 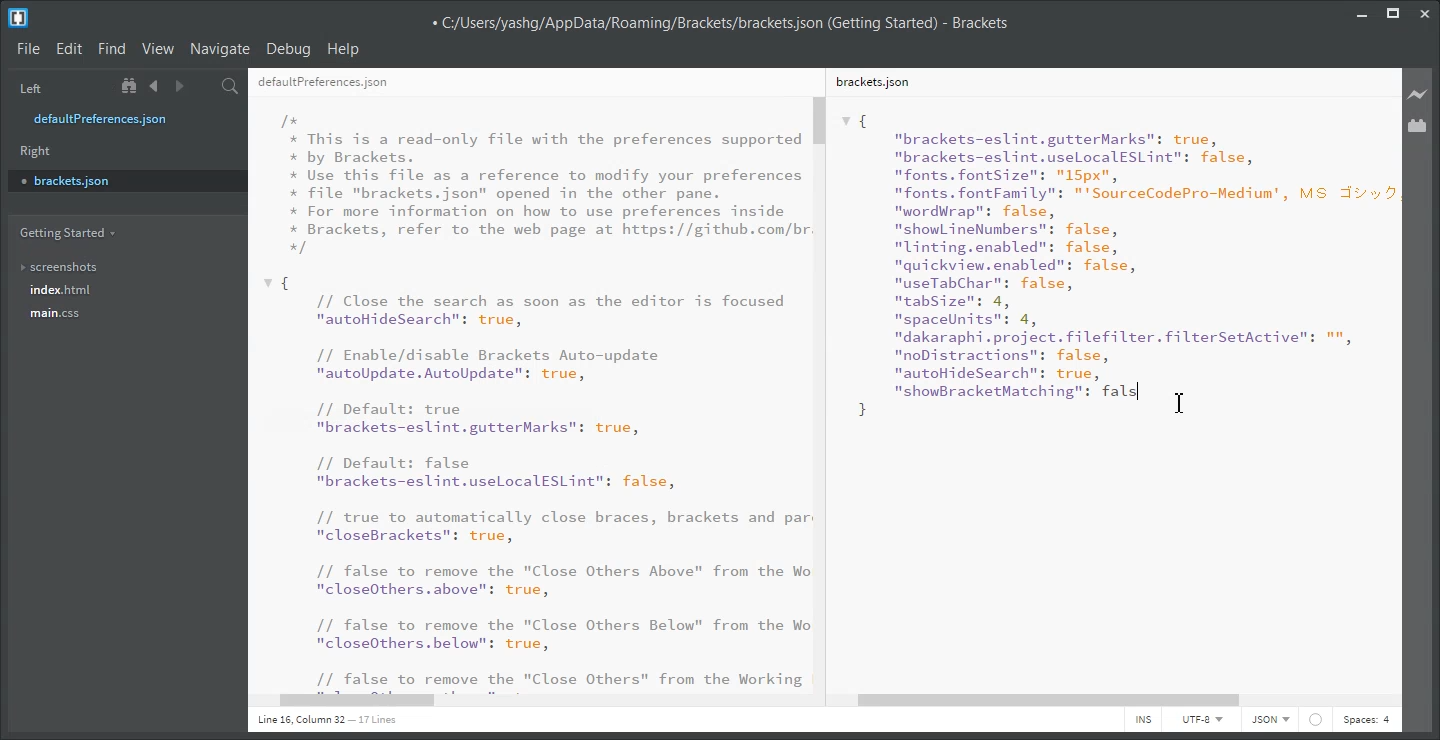 I want to click on Find, so click(x=112, y=49).